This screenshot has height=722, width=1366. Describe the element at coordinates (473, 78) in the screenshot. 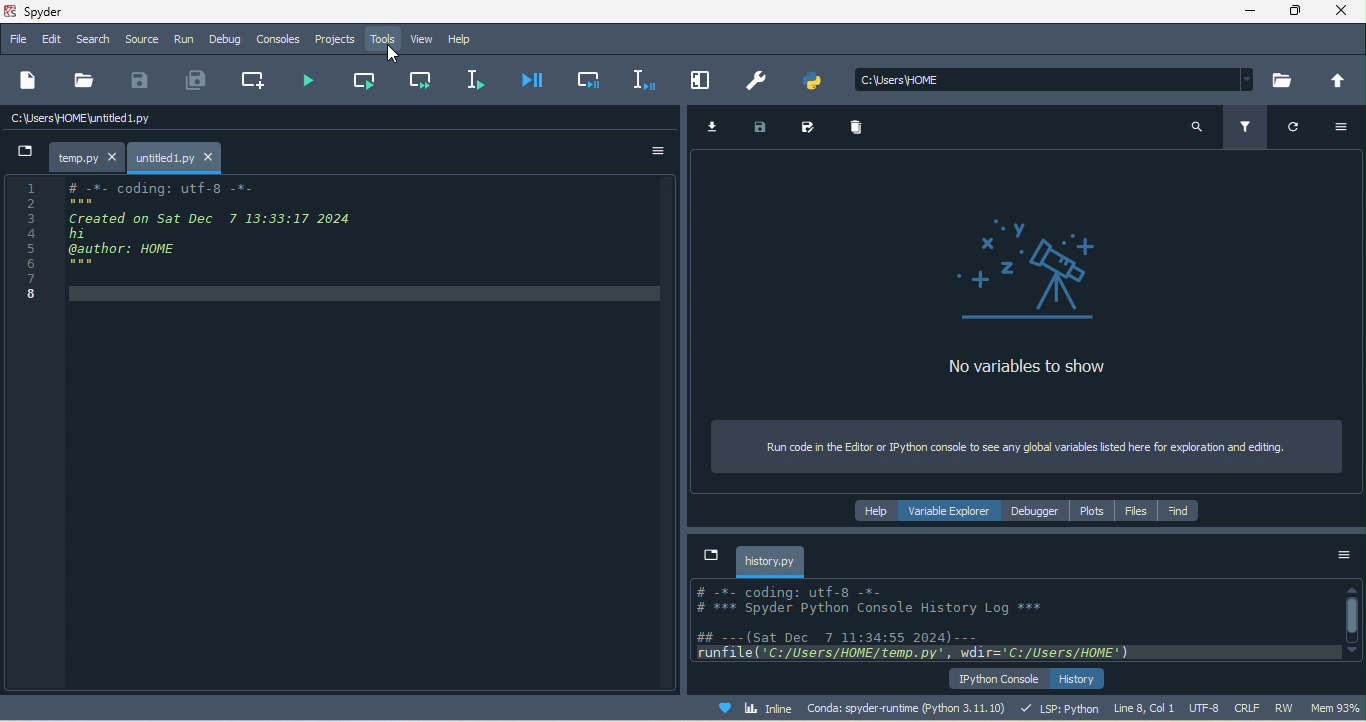

I see `current line` at that location.